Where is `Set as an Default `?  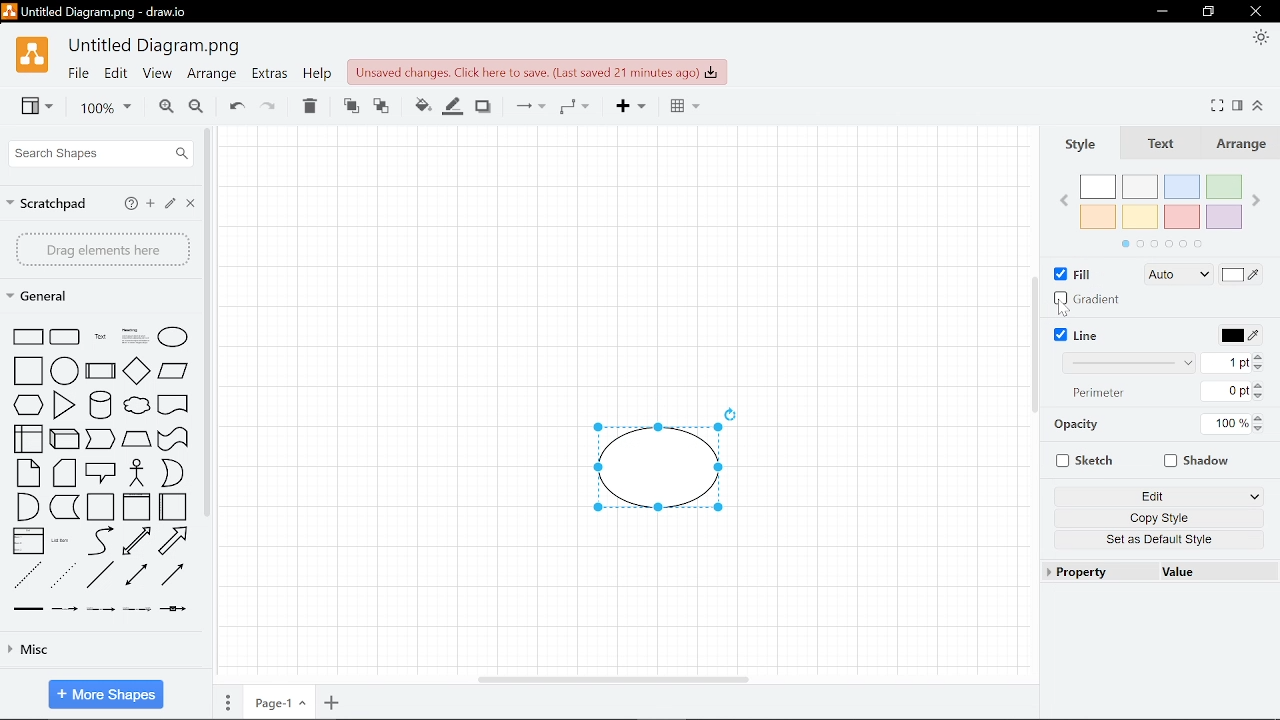
Set as an Default  is located at coordinates (1156, 542).